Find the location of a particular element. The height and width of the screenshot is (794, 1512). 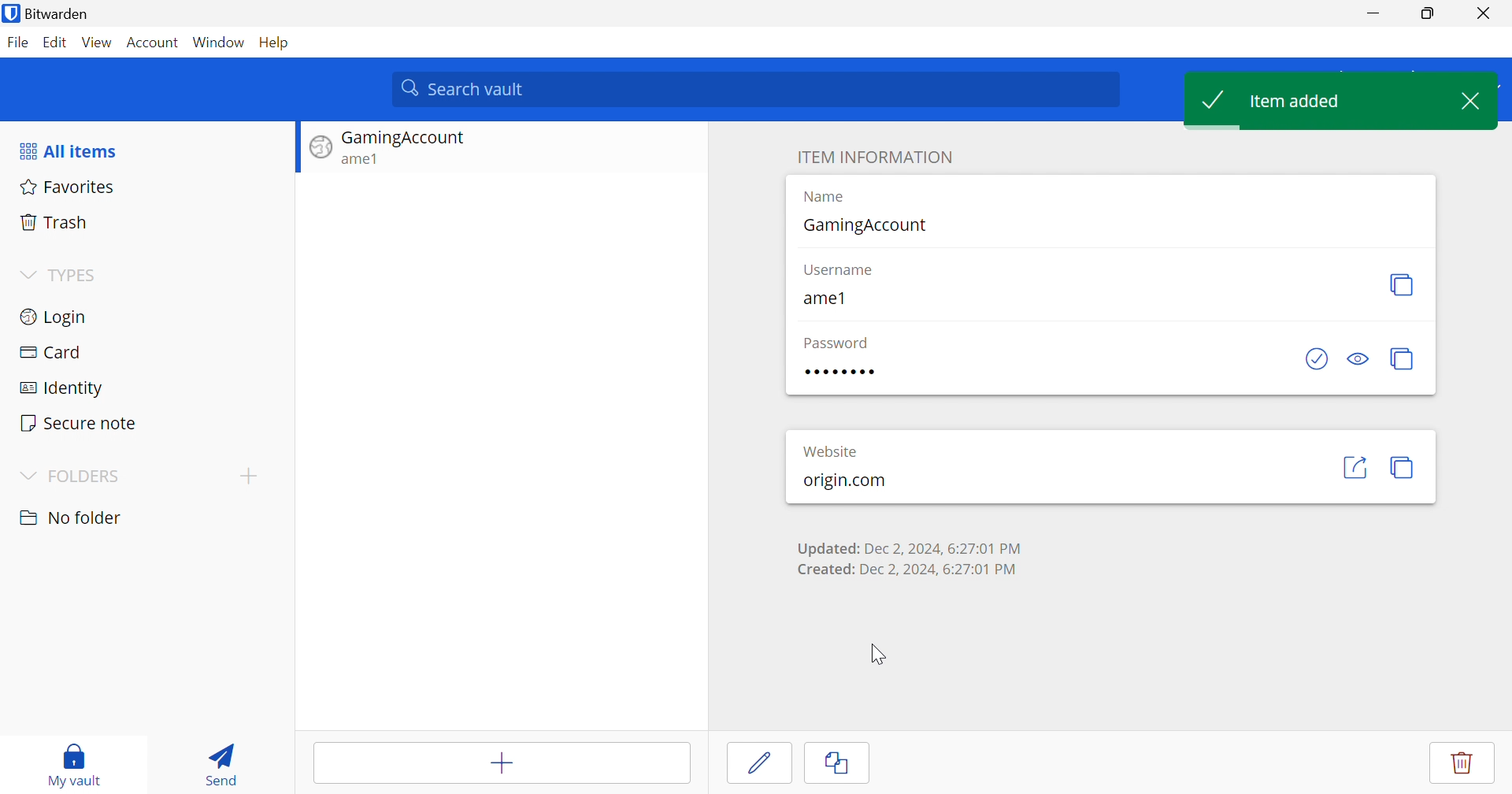

Add folder is located at coordinates (253, 475).